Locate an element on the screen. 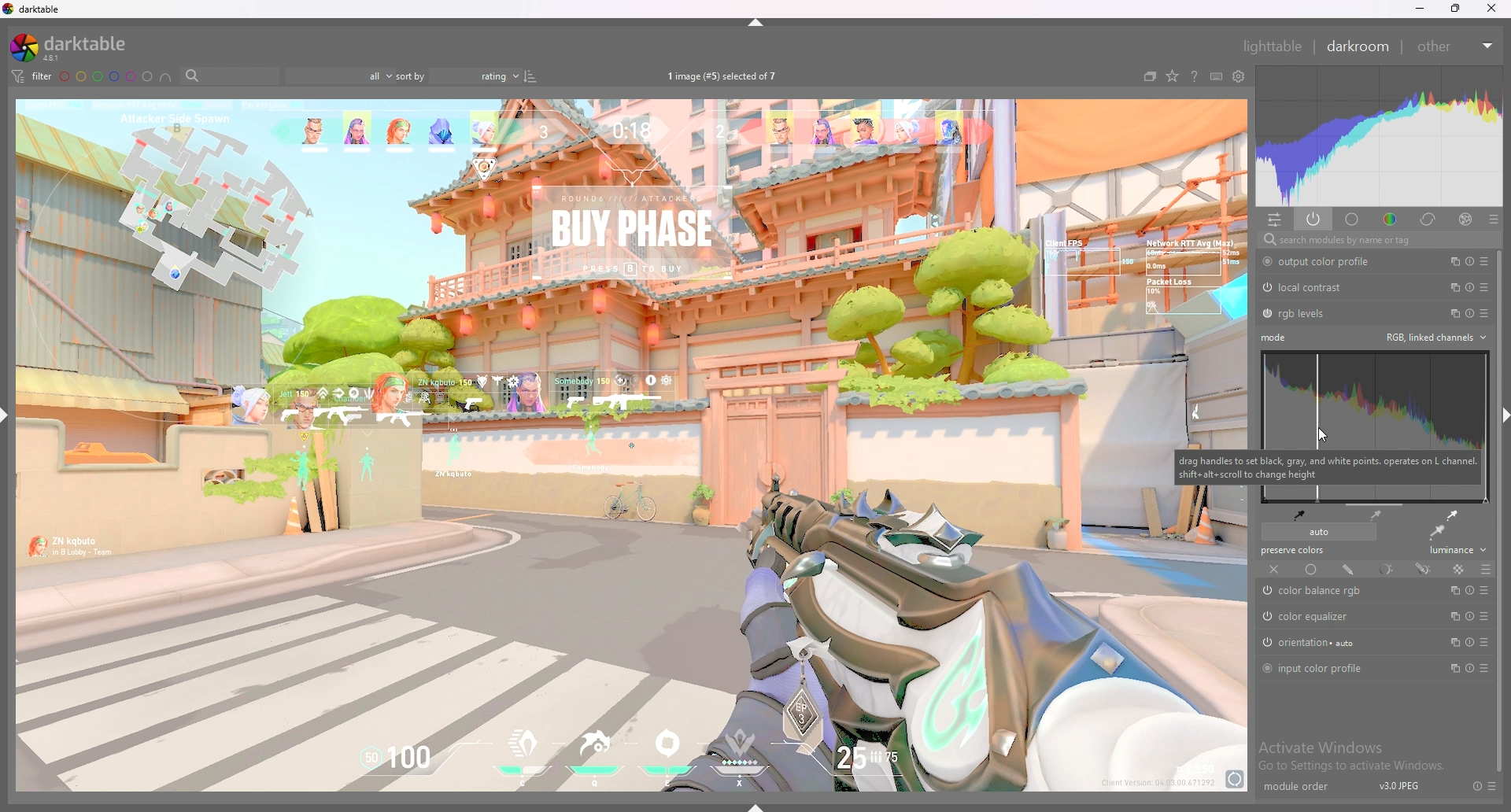 This screenshot has height=812, width=1511. multiple instances action is located at coordinates (1451, 615).